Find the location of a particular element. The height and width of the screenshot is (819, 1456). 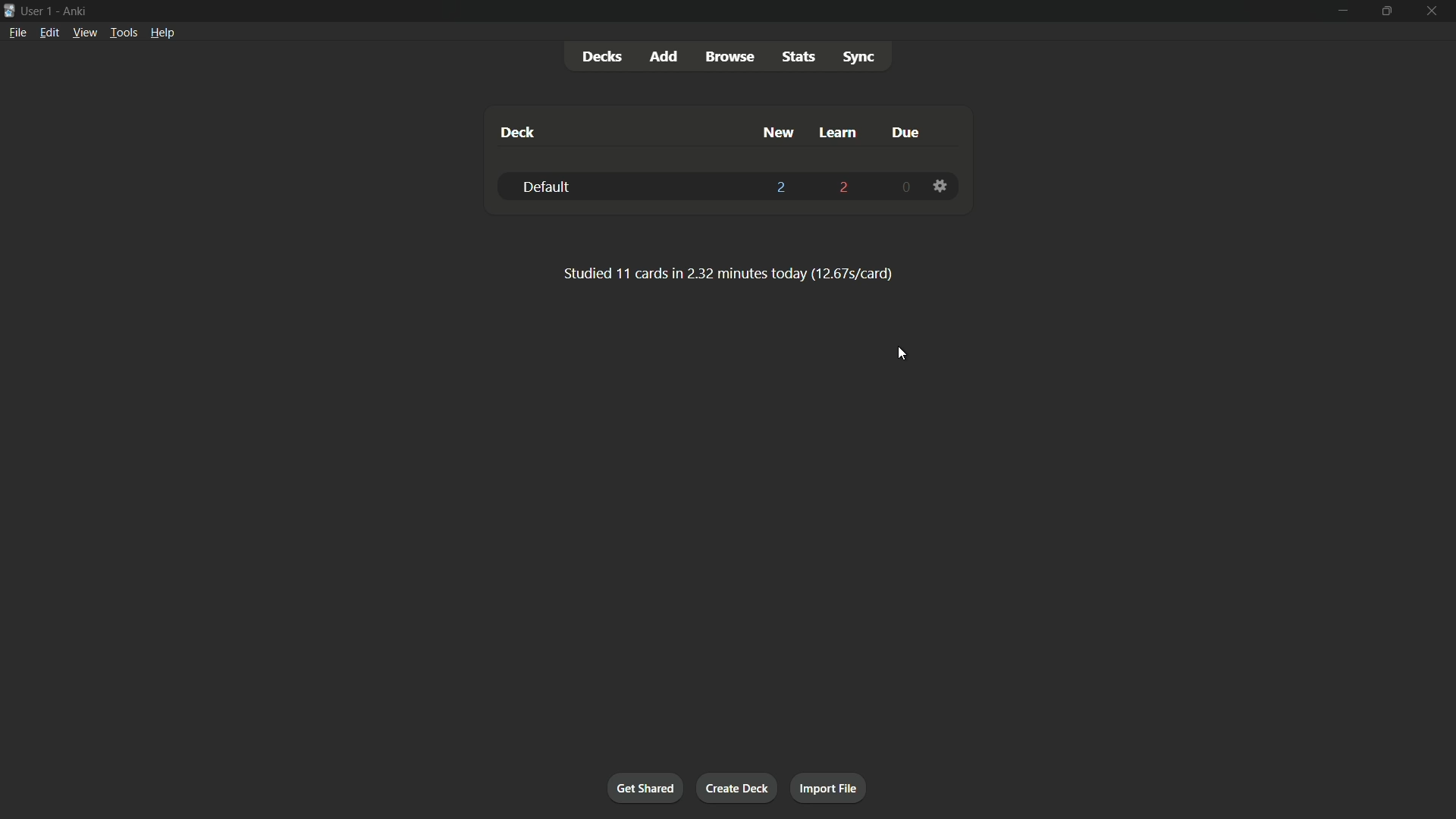

Studied 11 cards in 2.32 minutes today (12.67s/card) is located at coordinates (724, 276).